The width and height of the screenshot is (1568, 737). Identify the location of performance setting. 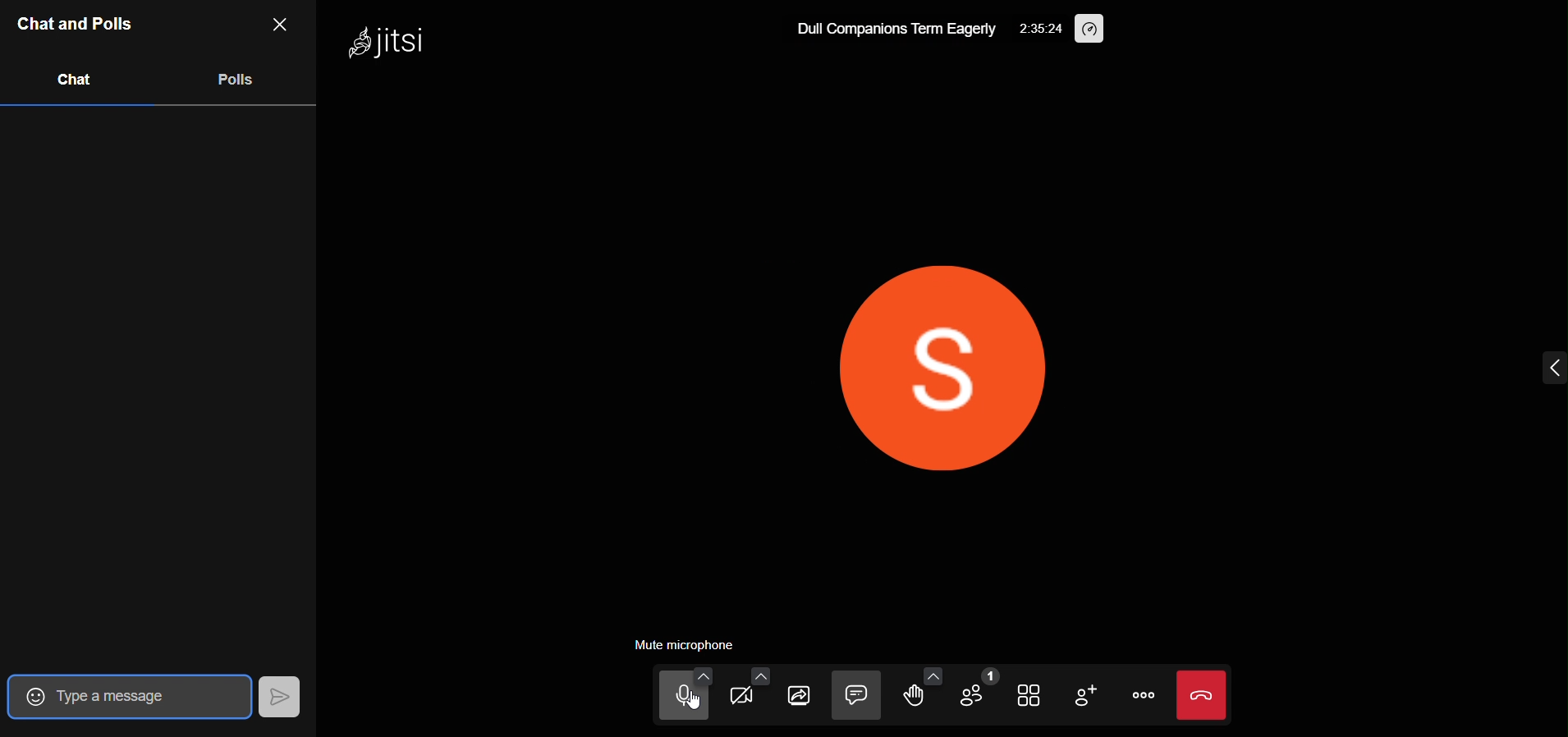
(1092, 26).